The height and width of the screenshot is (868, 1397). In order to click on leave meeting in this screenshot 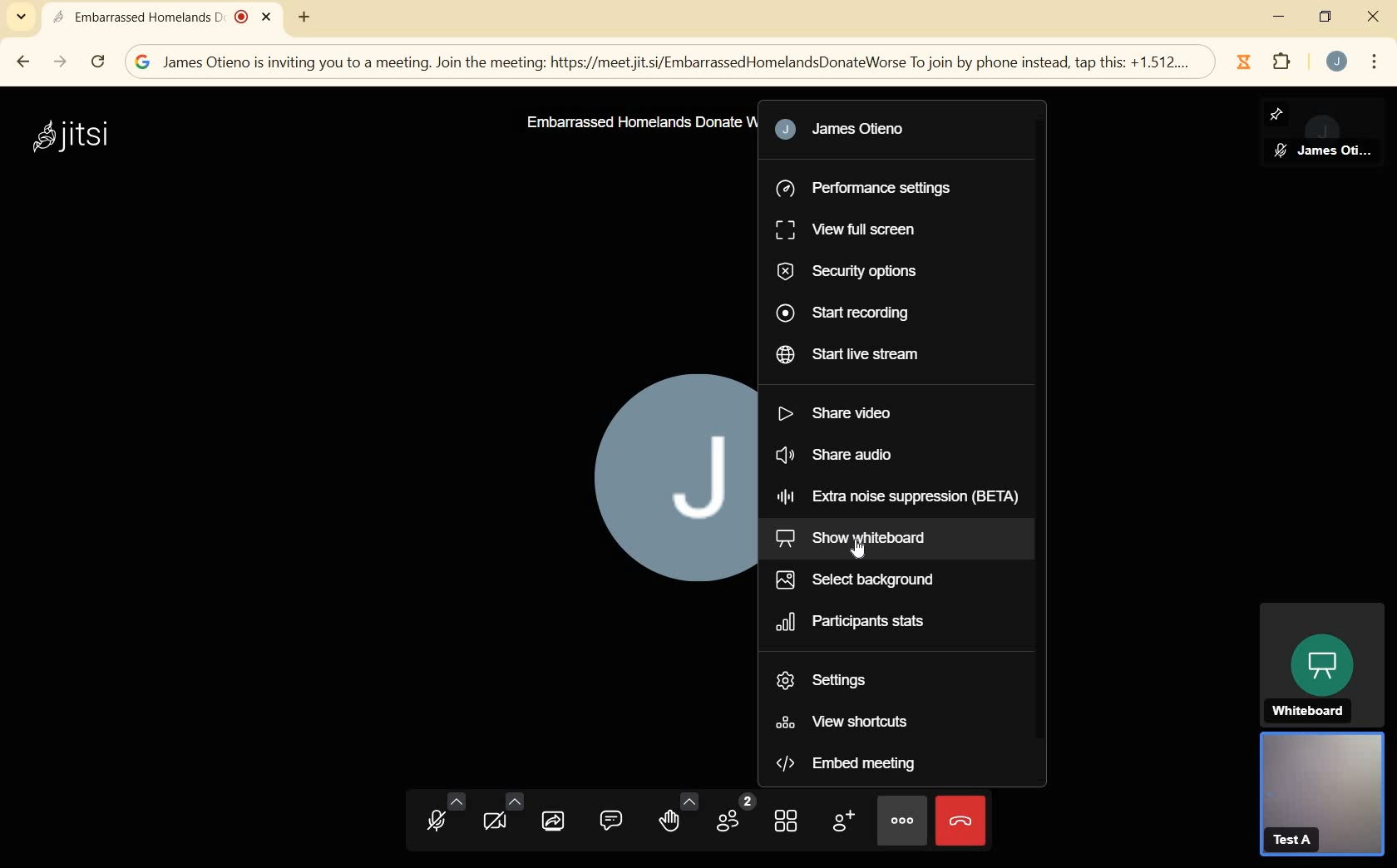, I will do `click(963, 823)`.